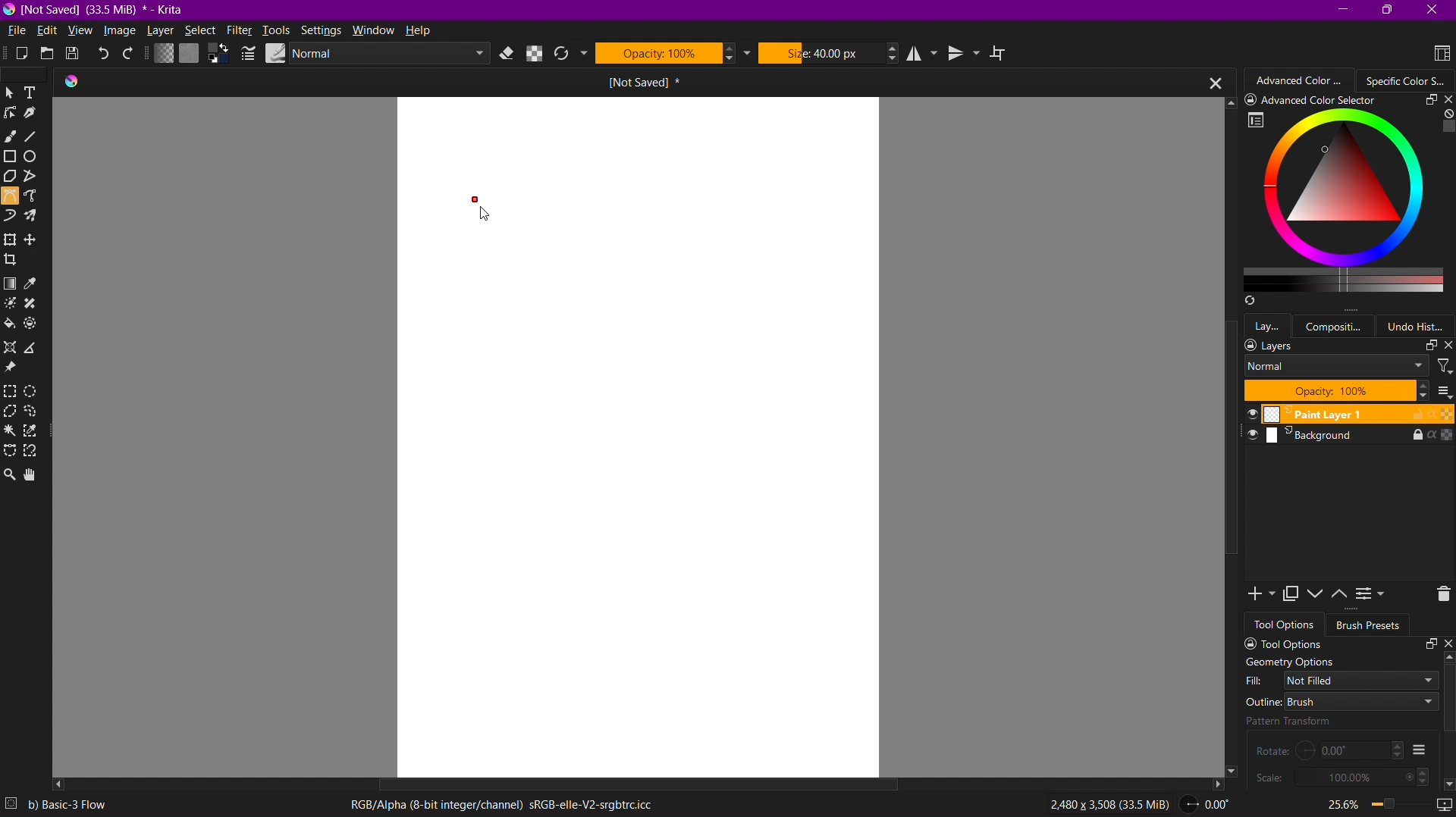 The image size is (1456, 817). I want to click on Colorize Mask Tool, so click(12, 305).